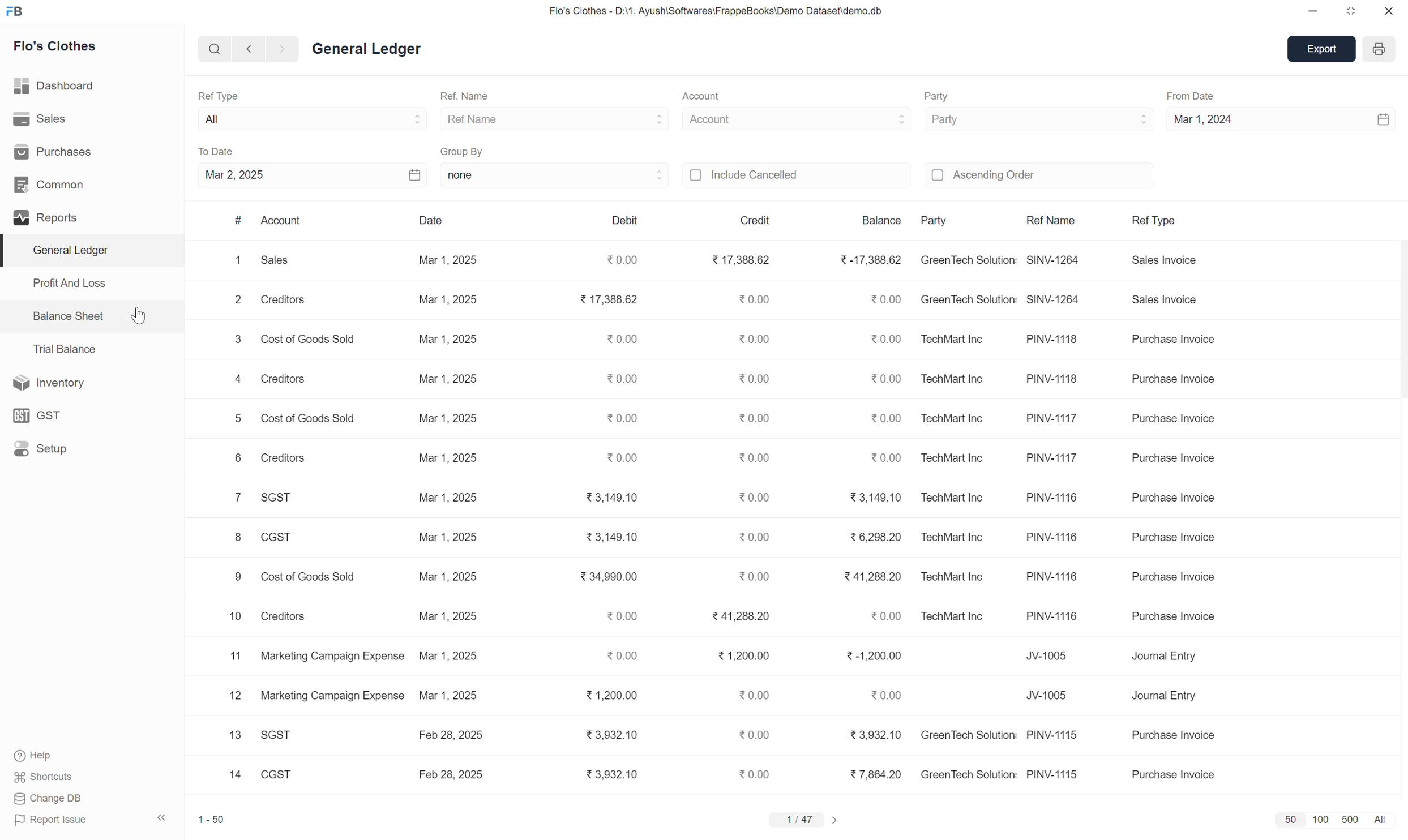  Describe the element at coordinates (750, 774) in the screenshot. I see `0.00` at that location.